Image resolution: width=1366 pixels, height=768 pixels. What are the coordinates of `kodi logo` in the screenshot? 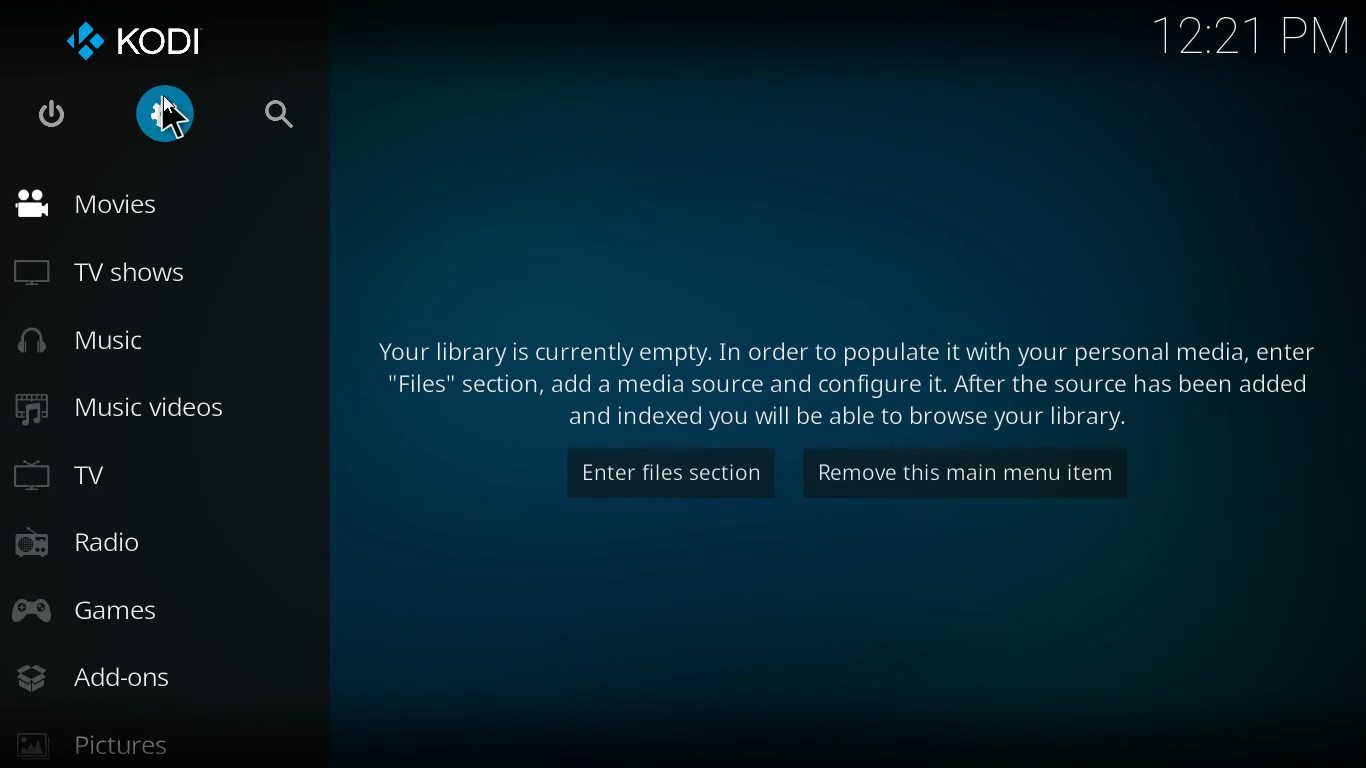 It's located at (146, 42).